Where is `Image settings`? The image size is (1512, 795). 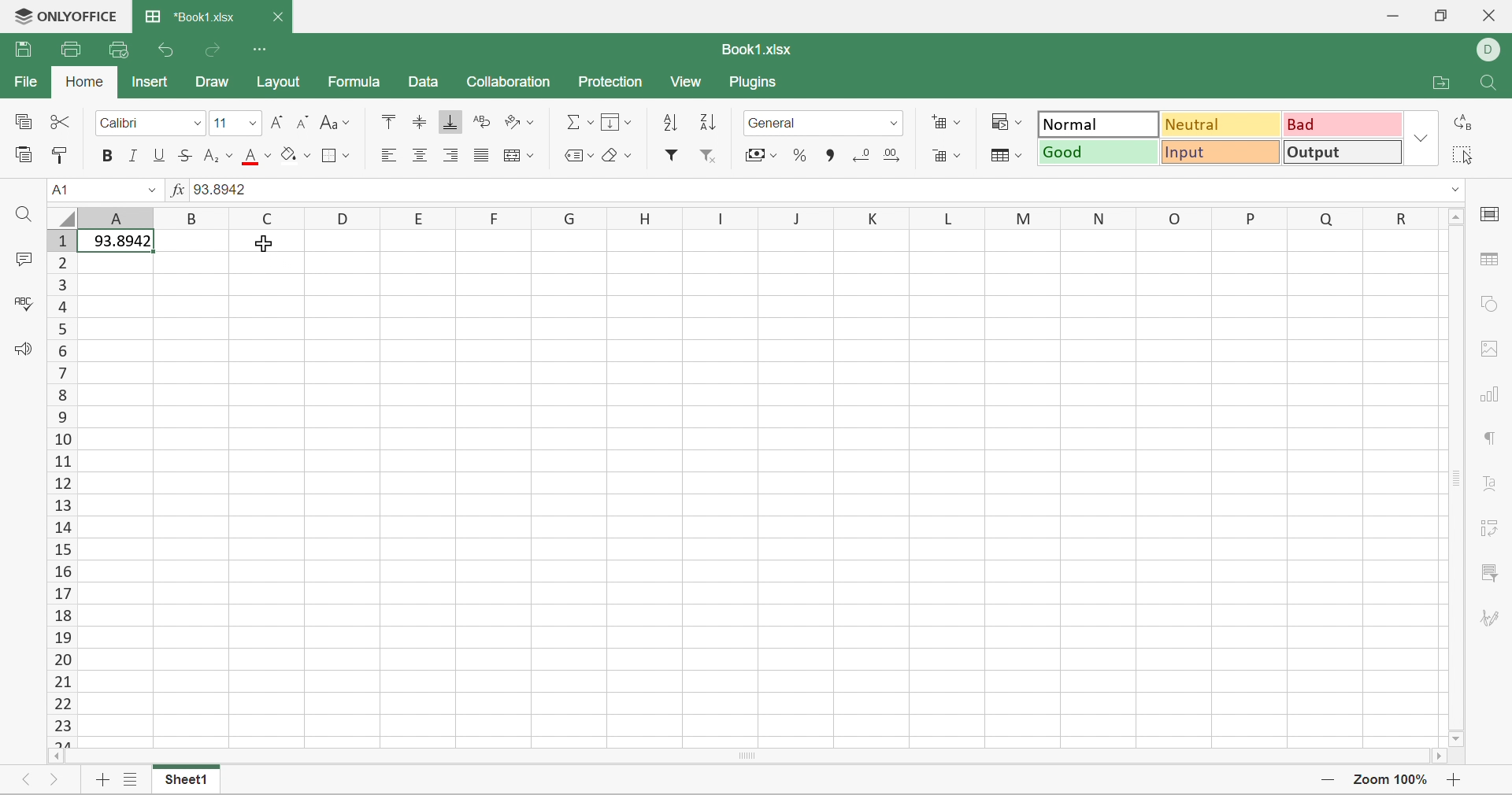 Image settings is located at coordinates (1487, 348).